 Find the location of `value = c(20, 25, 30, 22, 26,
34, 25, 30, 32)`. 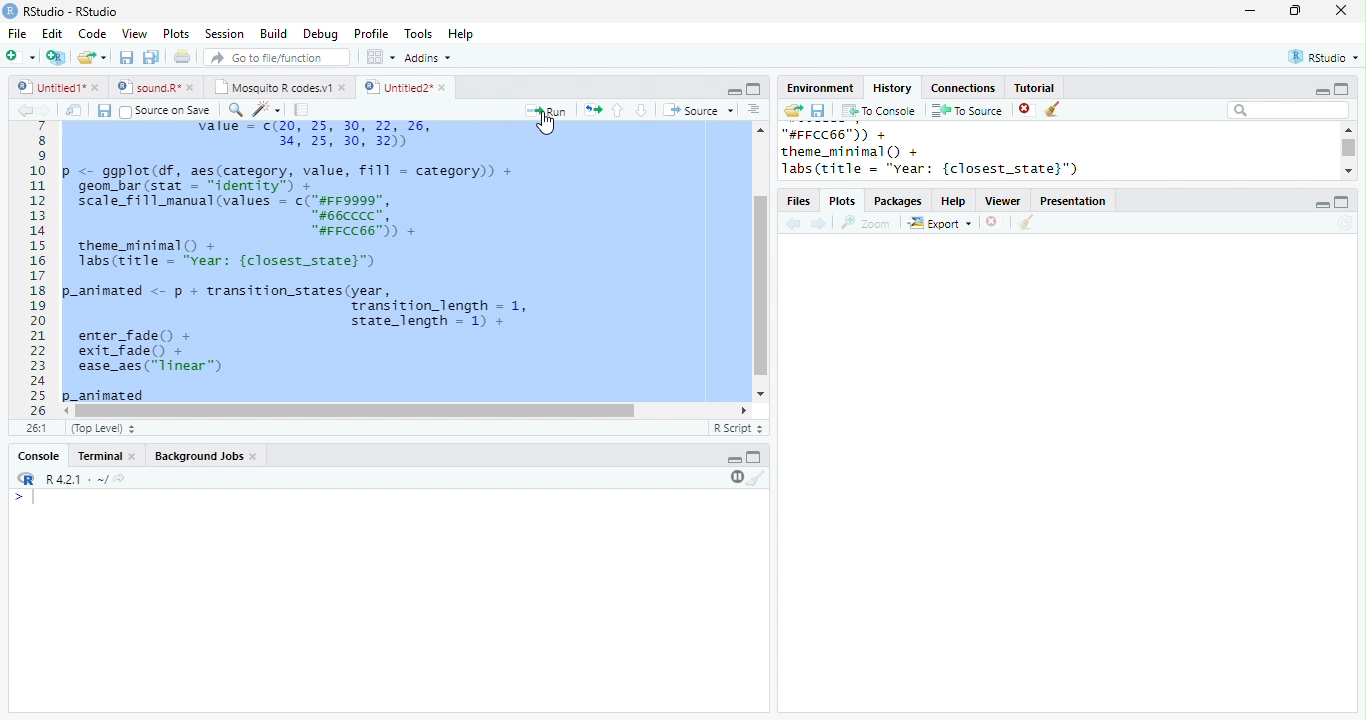

value = c(20, 25, 30, 22, 26,
34, 25, 30, 32) is located at coordinates (330, 137).